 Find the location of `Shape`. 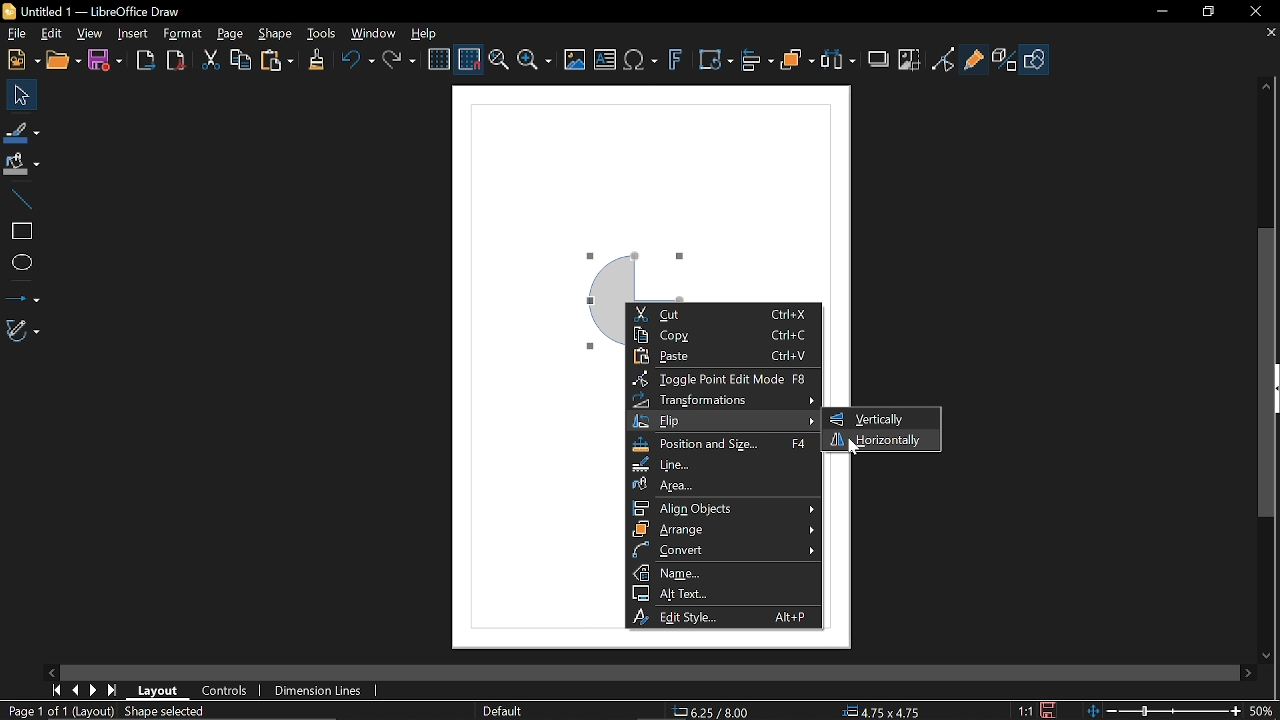

Shape is located at coordinates (1038, 60).